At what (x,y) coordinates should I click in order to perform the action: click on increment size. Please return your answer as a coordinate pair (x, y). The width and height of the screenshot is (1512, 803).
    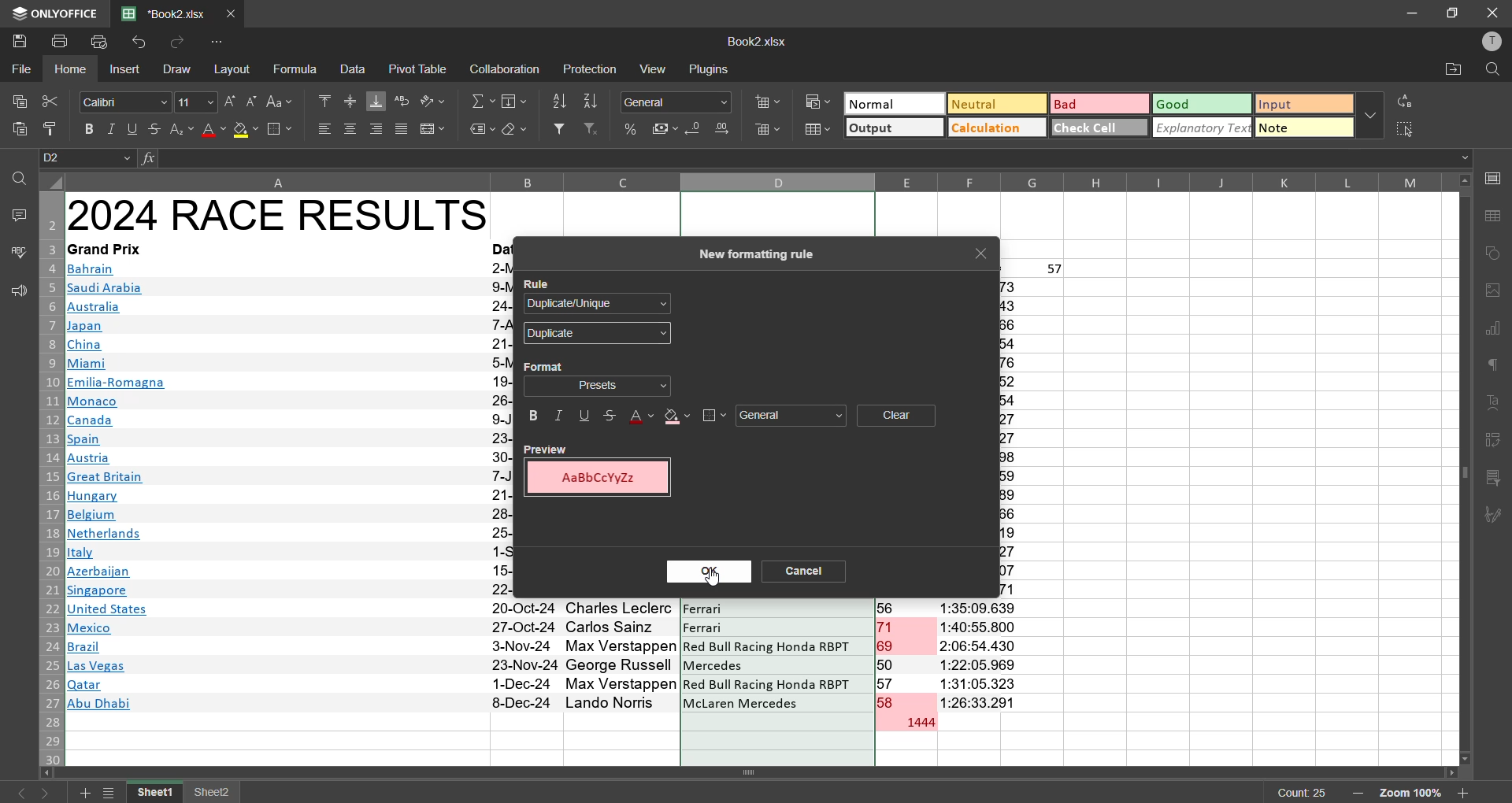
    Looking at the image, I should click on (230, 102).